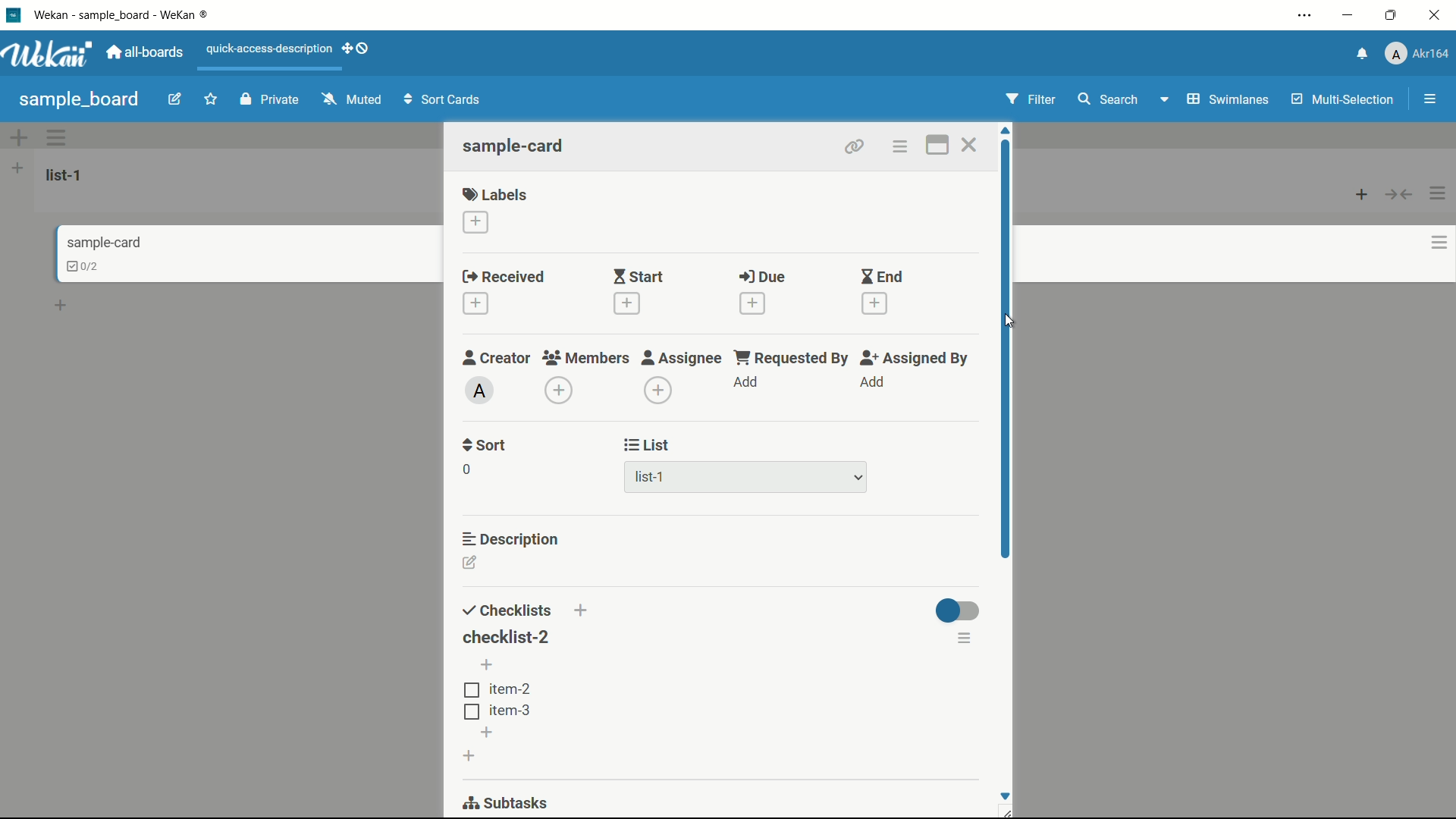 The height and width of the screenshot is (819, 1456). What do you see at coordinates (1428, 243) in the screenshot?
I see `card actions` at bounding box center [1428, 243].